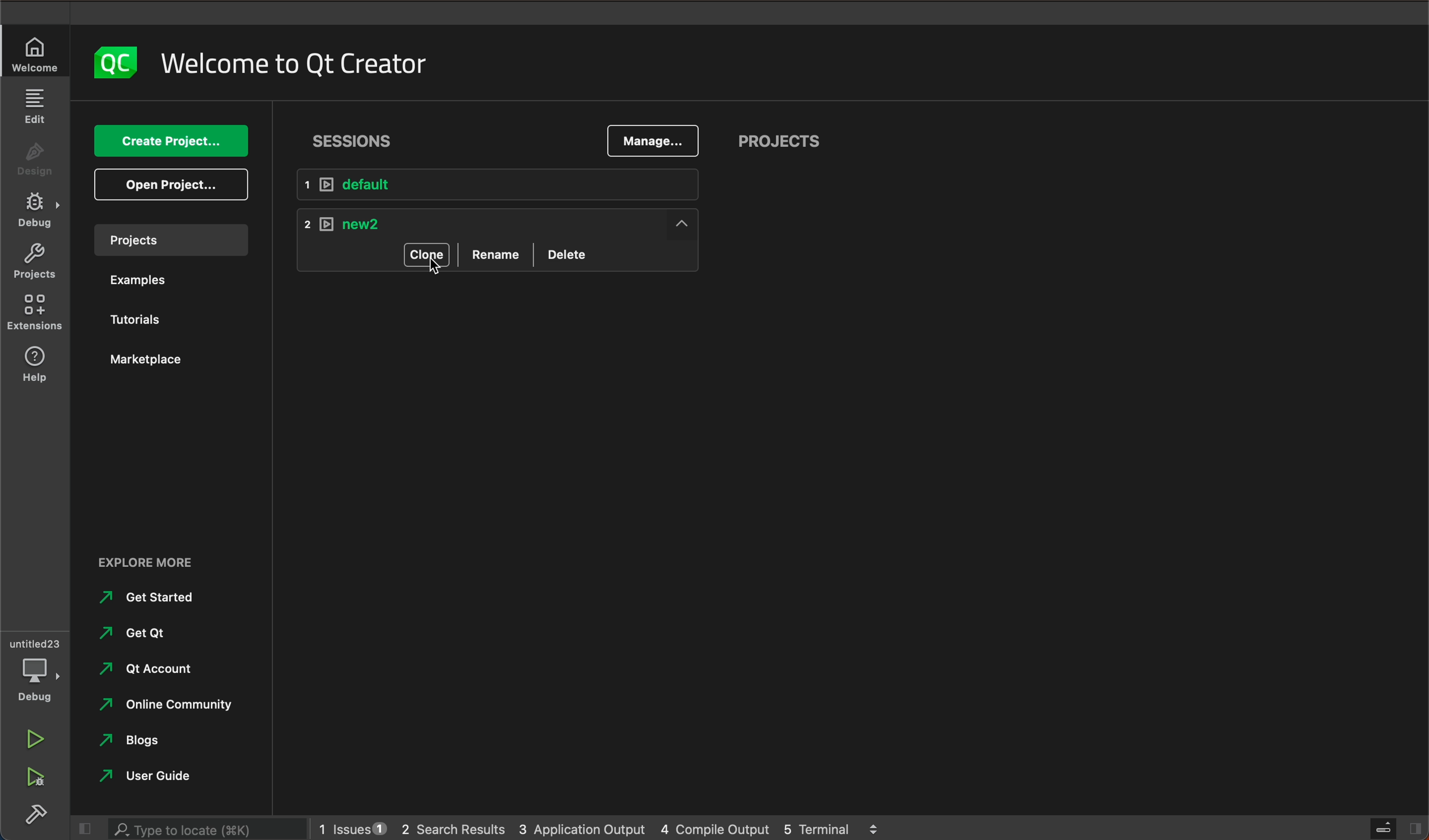 The height and width of the screenshot is (840, 1429). I want to click on logo, so click(116, 60).